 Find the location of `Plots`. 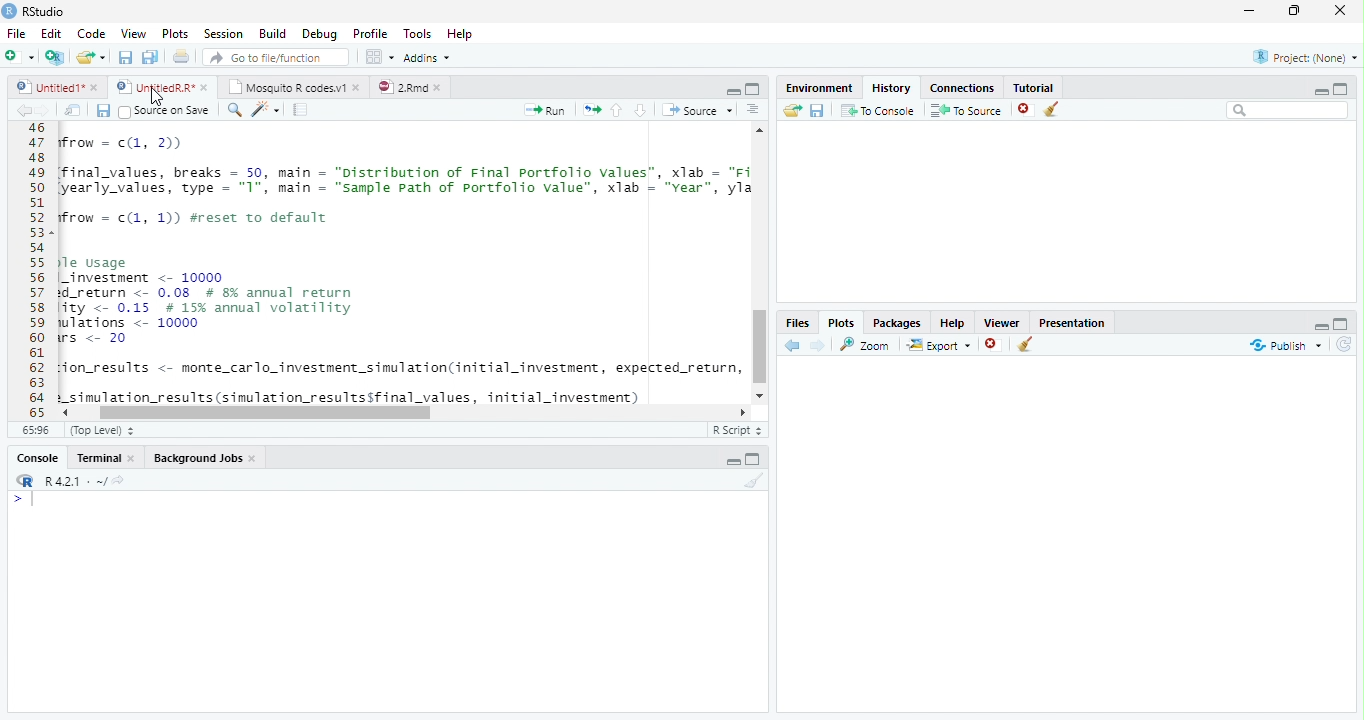

Plots is located at coordinates (841, 322).